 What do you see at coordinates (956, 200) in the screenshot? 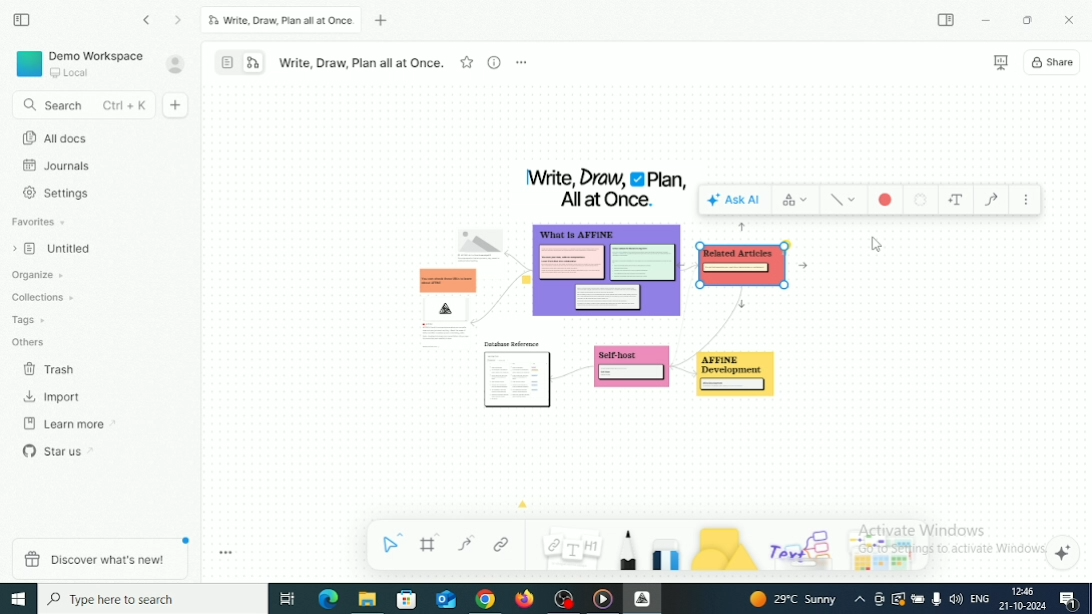
I see `Add text` at bounding box center [956, 200].